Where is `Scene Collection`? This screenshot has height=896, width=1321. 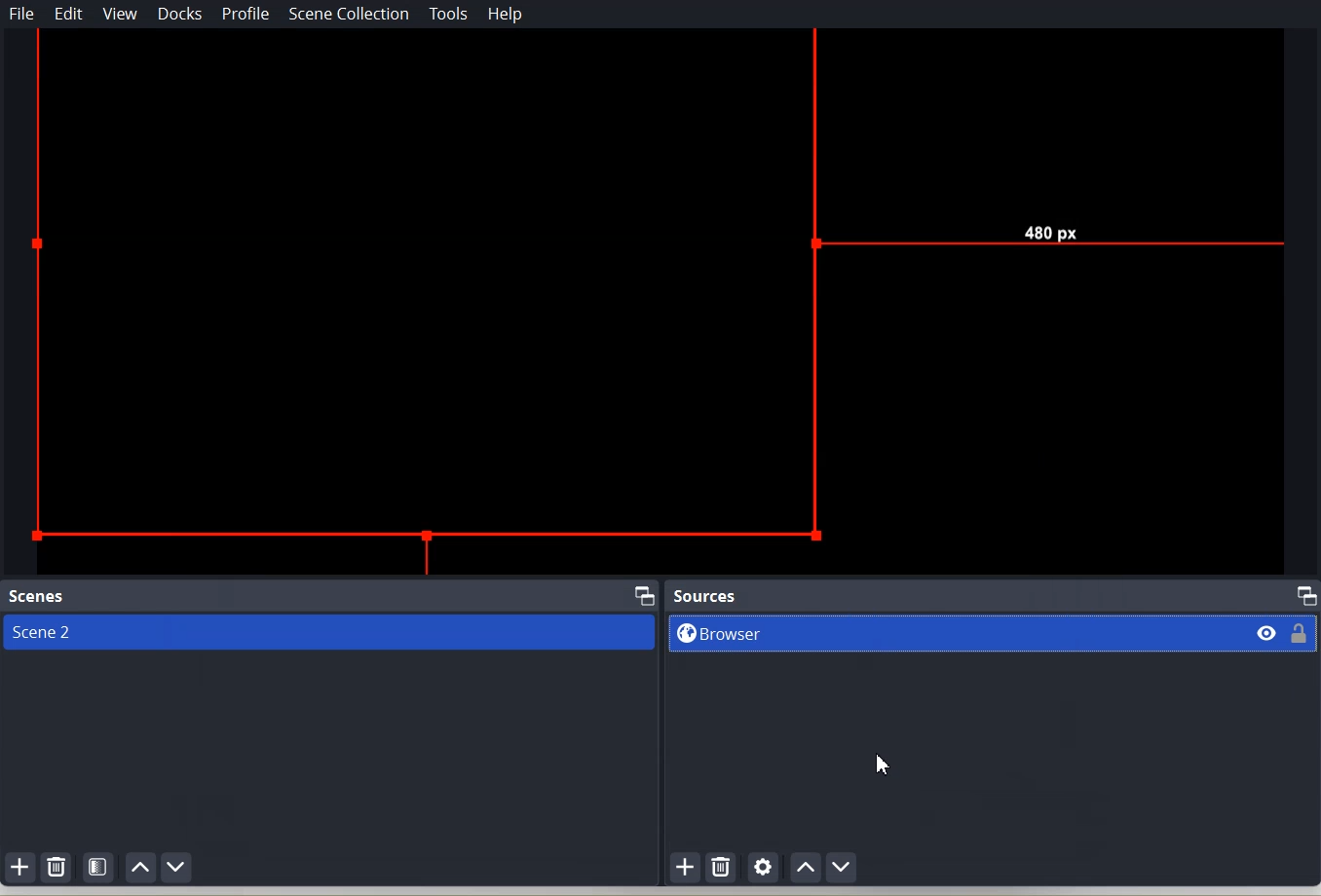 Scene Collection is located at coordinates (348, 14).